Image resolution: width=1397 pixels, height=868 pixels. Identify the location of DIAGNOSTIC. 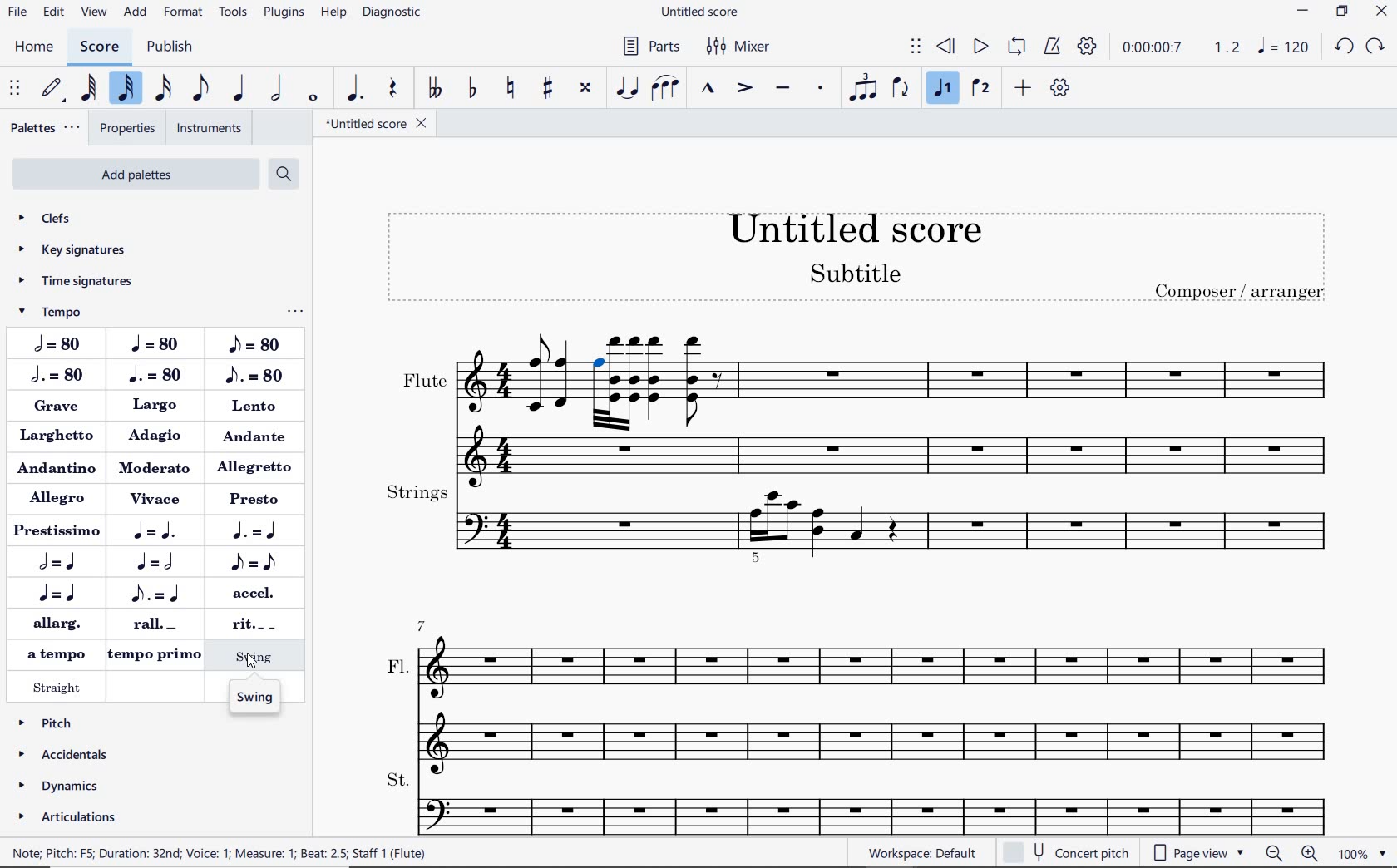
(391, 12).